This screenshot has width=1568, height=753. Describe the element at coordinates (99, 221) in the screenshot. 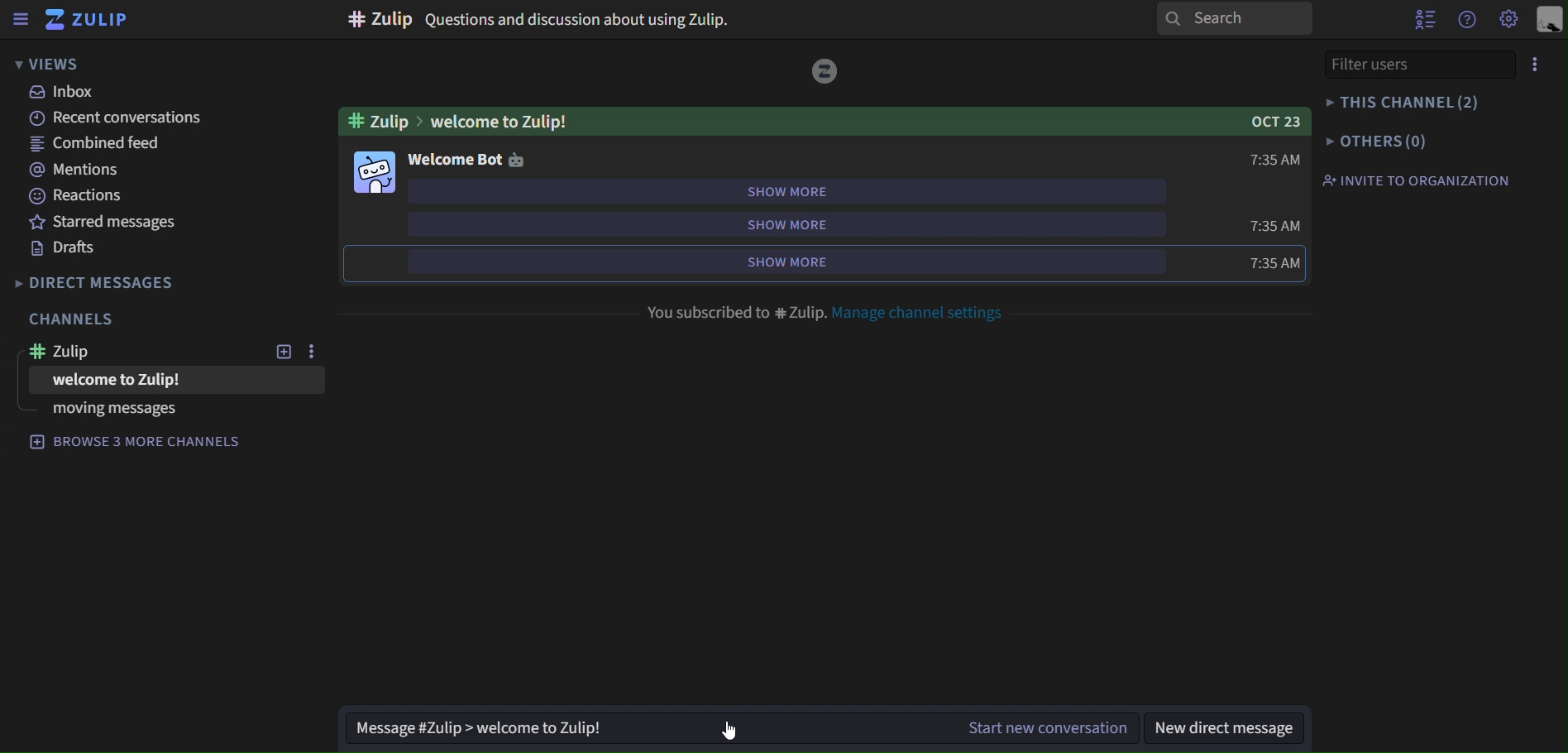

I see `starred messages` at that location.